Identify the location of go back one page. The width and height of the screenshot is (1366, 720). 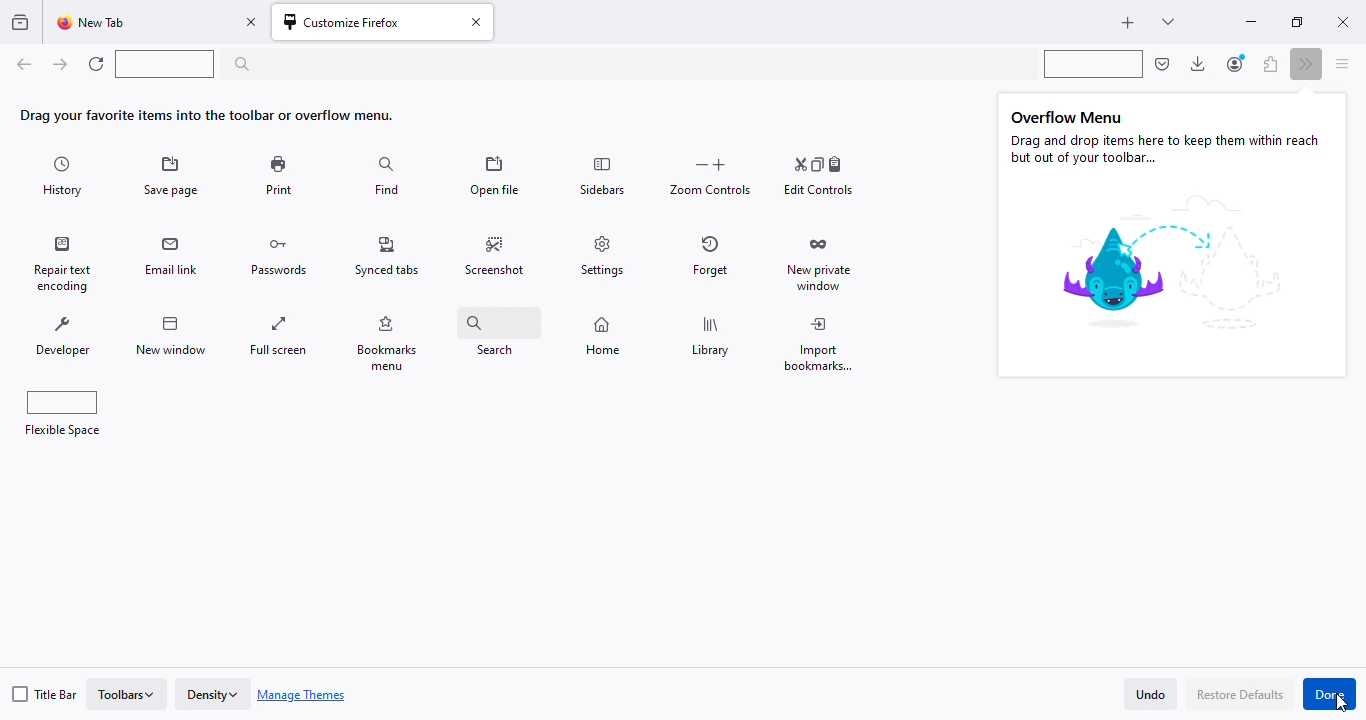
(25, 63).